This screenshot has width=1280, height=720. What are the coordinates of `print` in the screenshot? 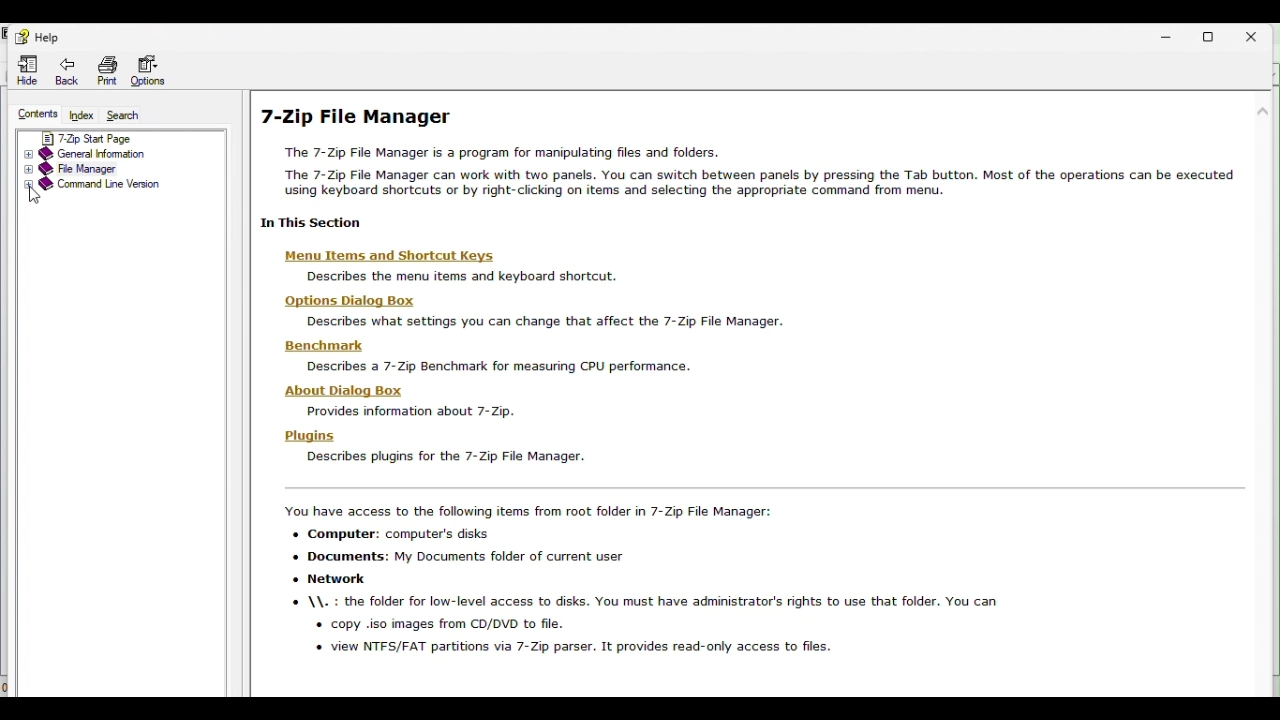 It's located at (107, 70).